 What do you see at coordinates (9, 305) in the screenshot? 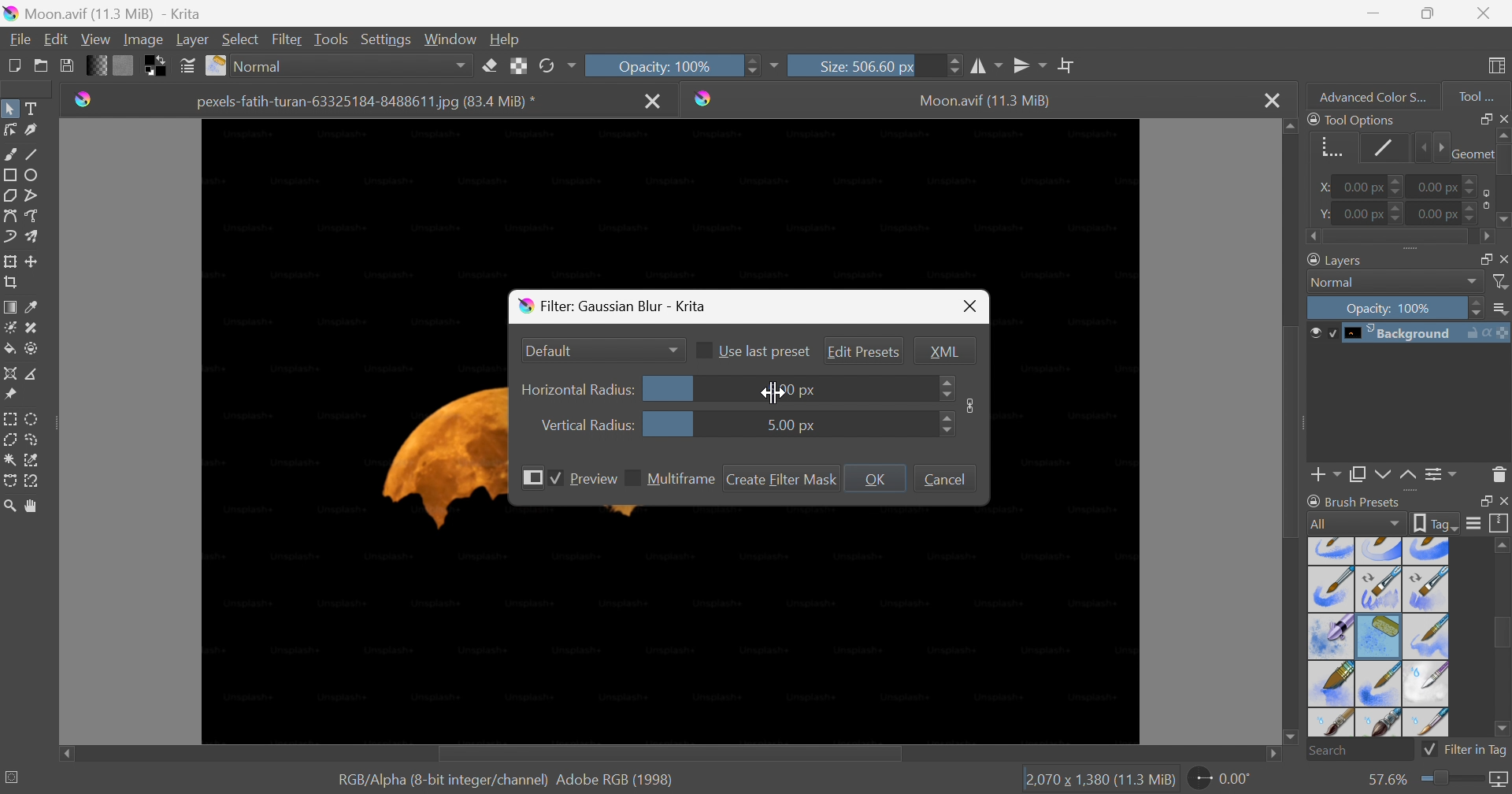
I see `Draw a gradient` at bounding box center [9, 305].